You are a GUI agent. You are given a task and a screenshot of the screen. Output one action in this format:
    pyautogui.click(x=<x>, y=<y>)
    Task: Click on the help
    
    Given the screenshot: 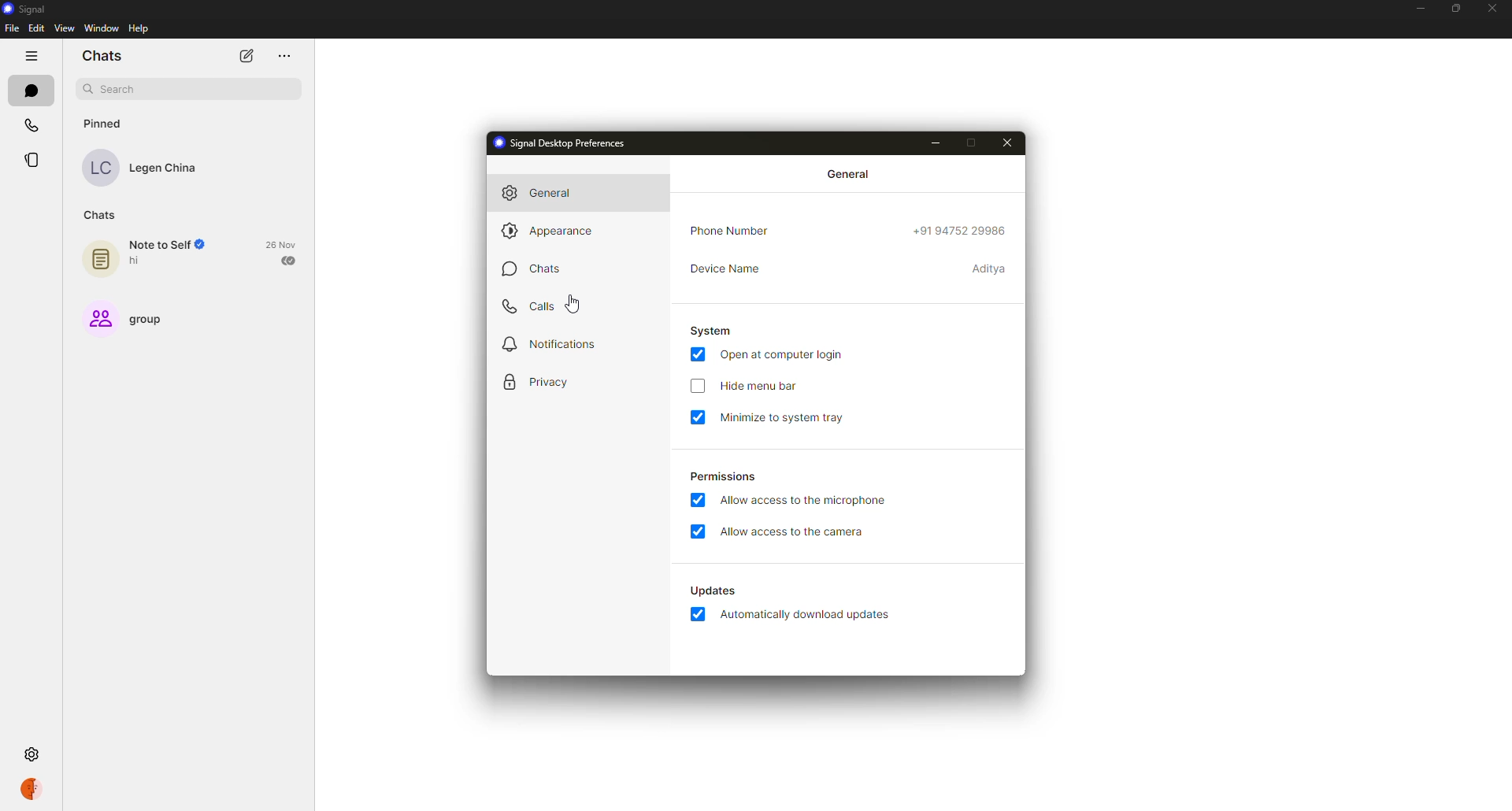 What is the action you would take?
    pyautogui.click(x=138, y=28)
    